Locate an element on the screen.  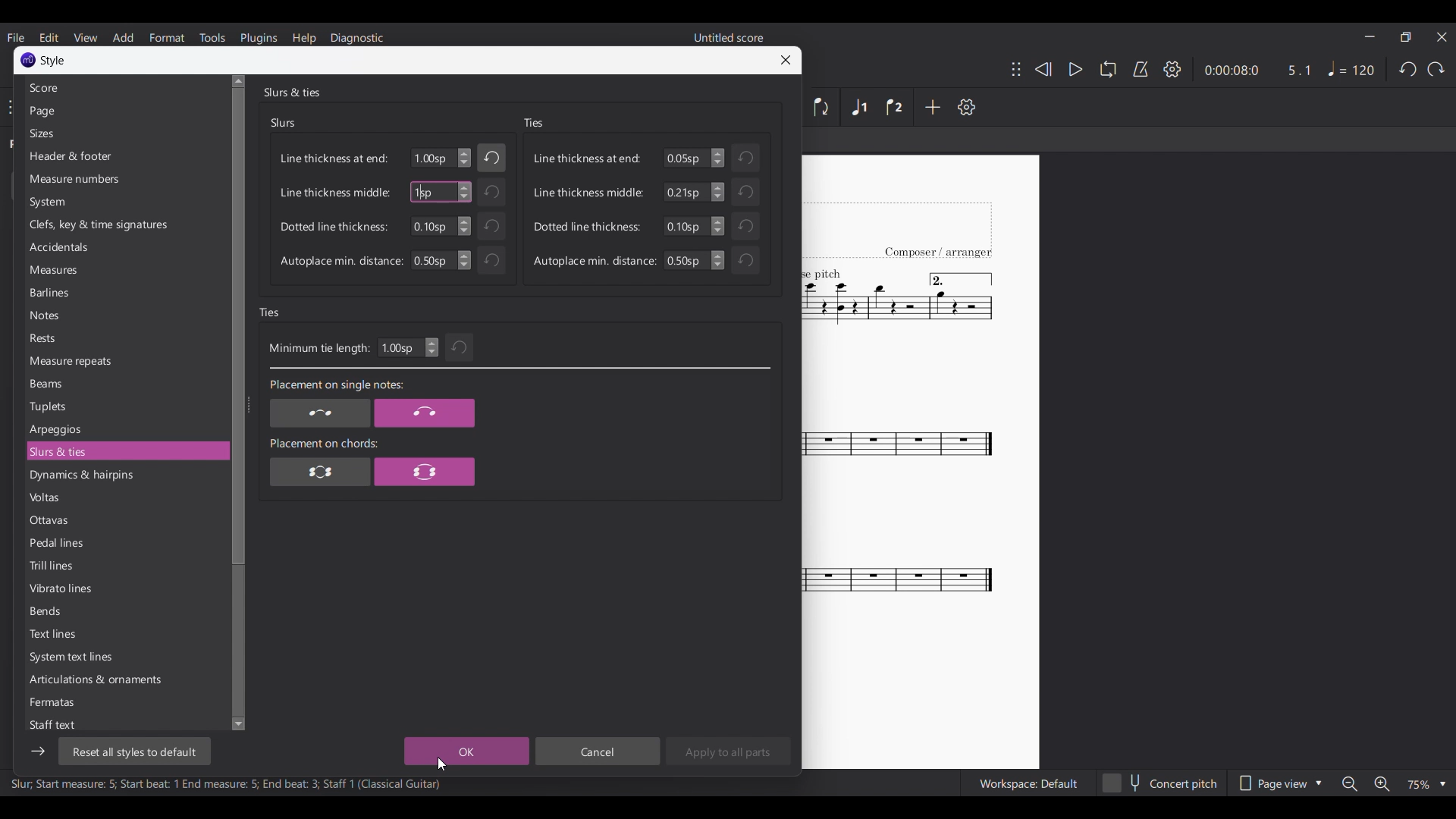
1sp is located at coordinates (423, 192).